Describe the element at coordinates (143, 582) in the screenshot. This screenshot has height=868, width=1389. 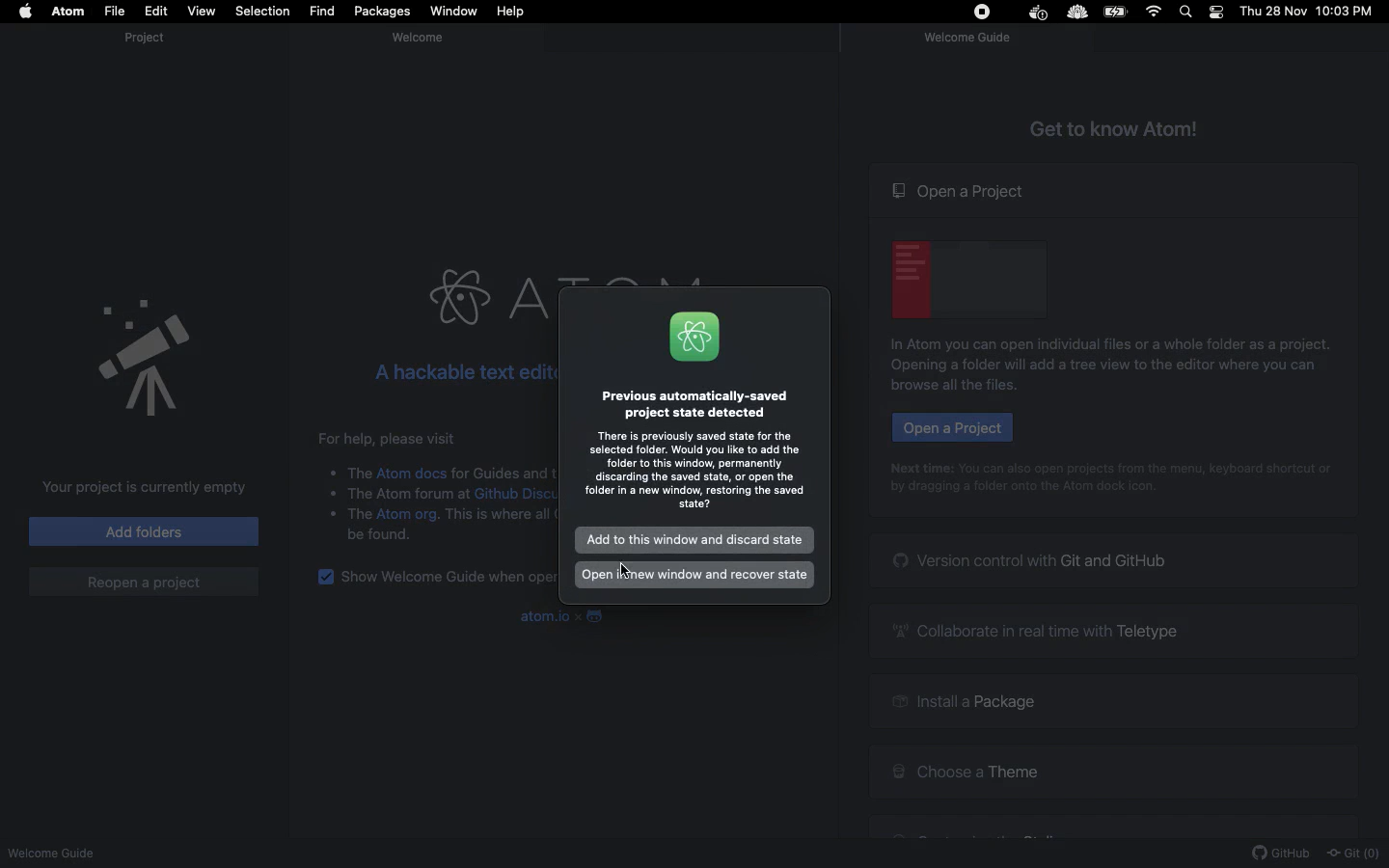
I see `Reopen a project` at that location.